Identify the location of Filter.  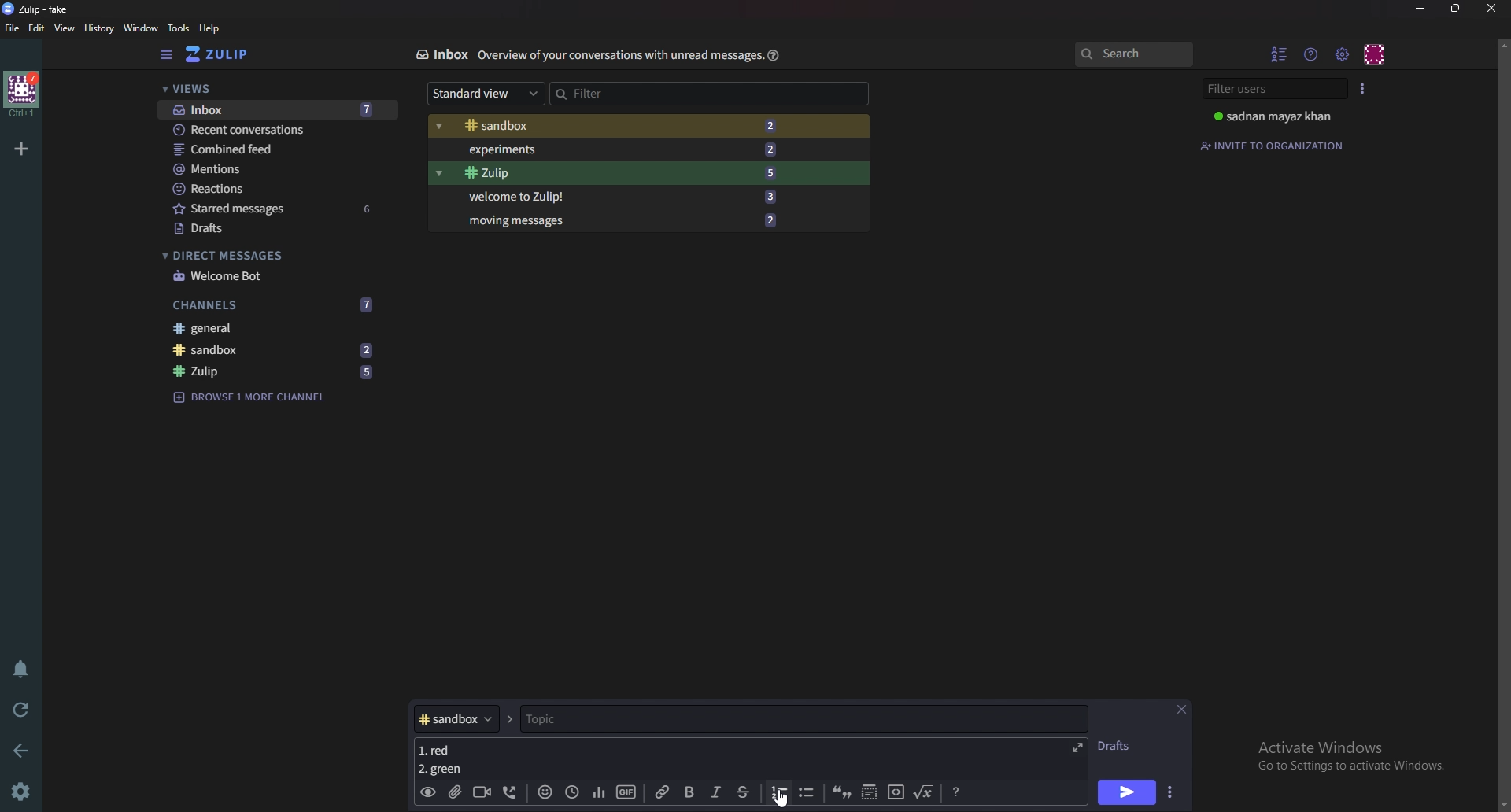
(621, 91).